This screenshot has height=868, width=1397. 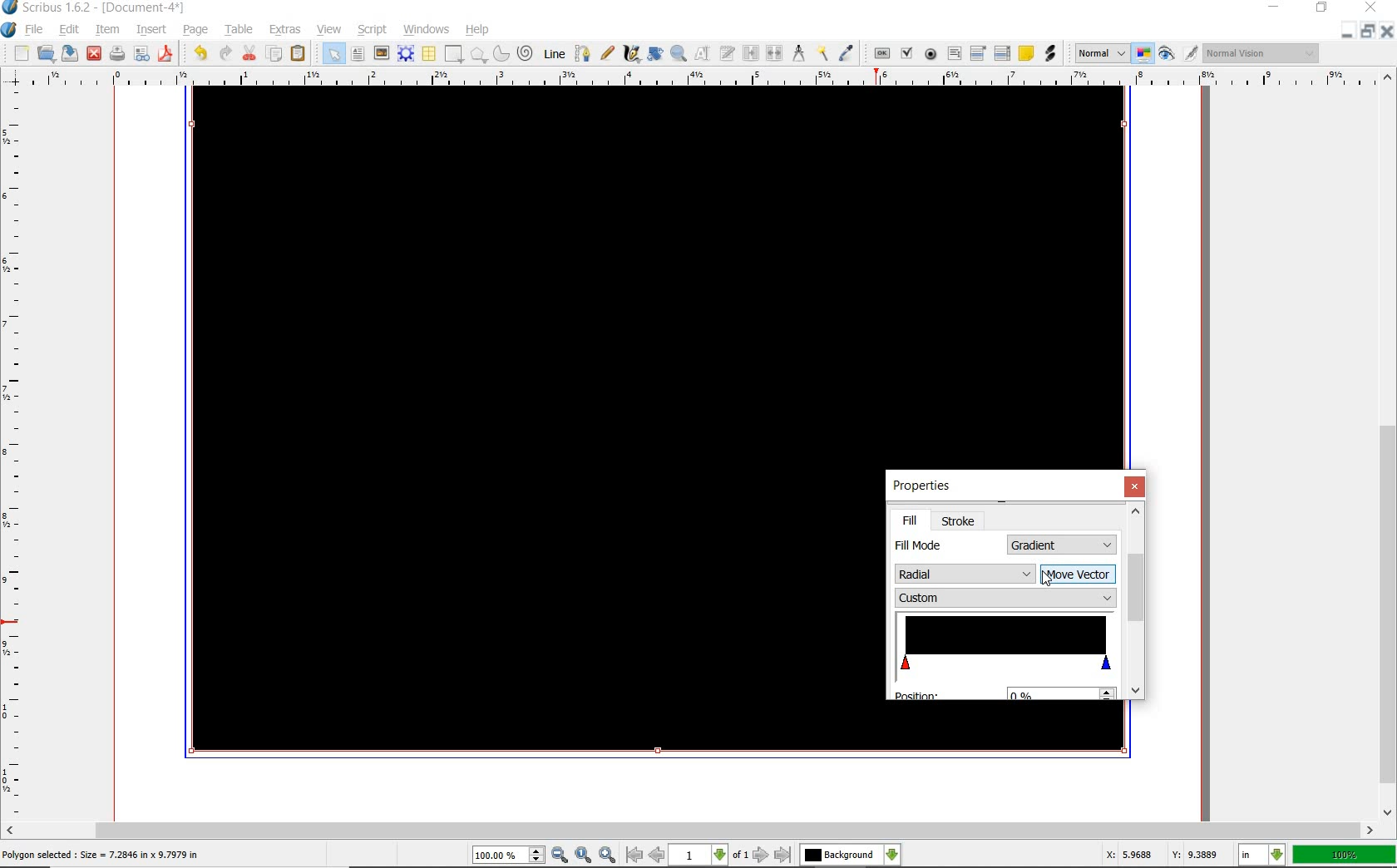 I want to click on help, so click(x=479, y=31).